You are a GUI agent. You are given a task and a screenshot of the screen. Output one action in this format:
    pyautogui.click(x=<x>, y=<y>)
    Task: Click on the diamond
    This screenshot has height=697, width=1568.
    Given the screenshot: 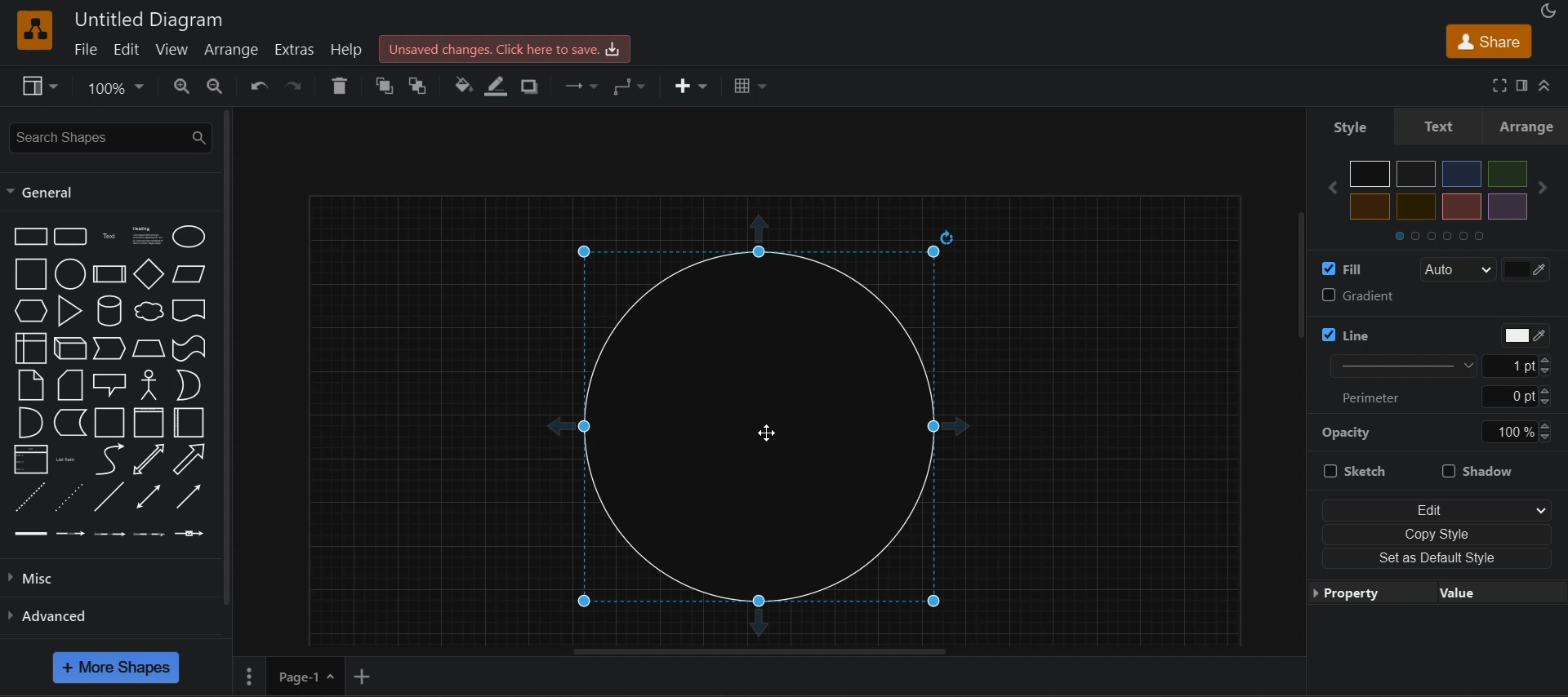 What is the action you would take?
    pyautogui.click(x=149, y=273)
    